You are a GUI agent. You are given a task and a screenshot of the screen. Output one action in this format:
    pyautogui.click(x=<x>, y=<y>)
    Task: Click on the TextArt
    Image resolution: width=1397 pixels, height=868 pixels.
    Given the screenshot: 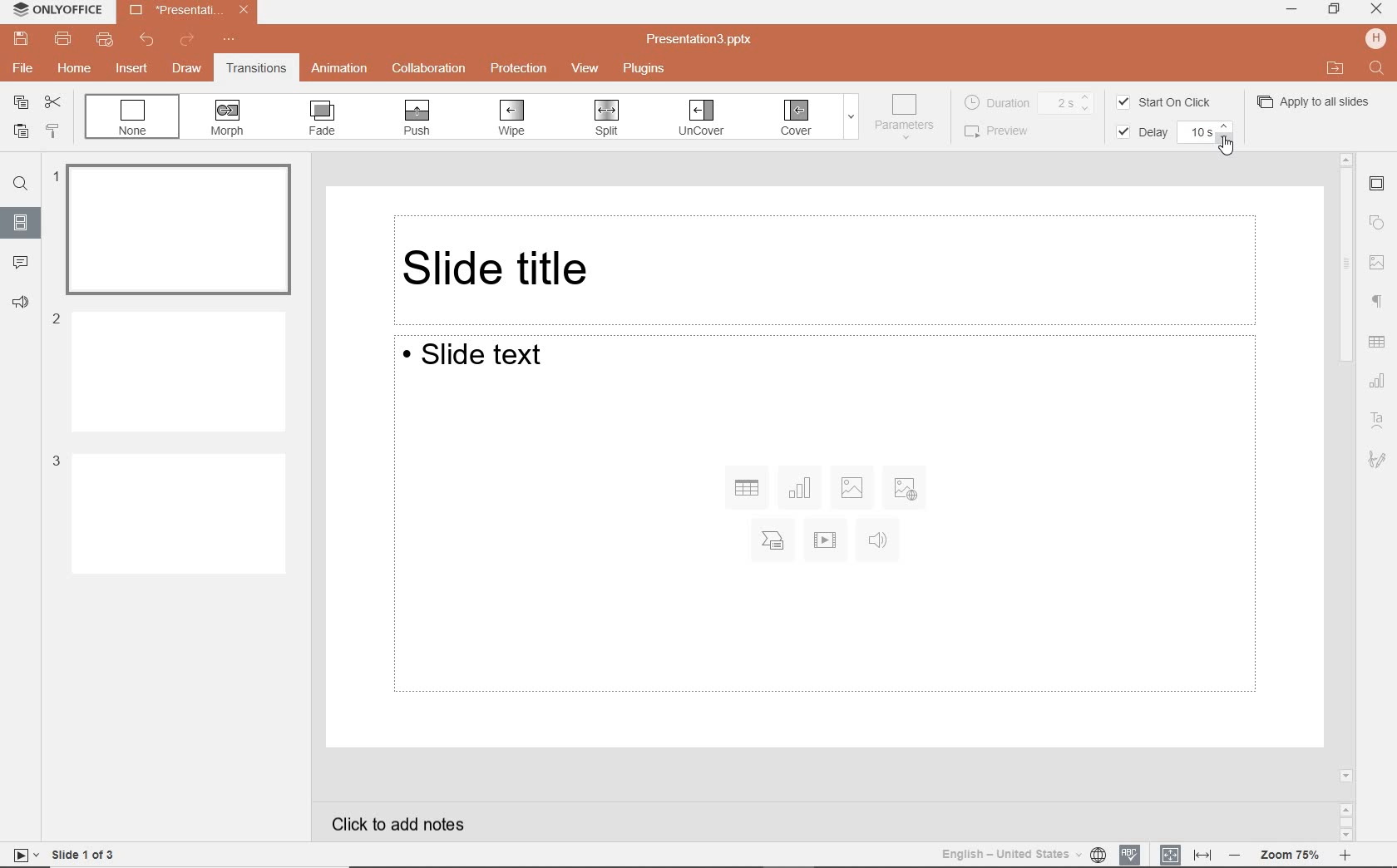 What is the action you would take?
    pyautogui.click(x=1378, y=421)
    